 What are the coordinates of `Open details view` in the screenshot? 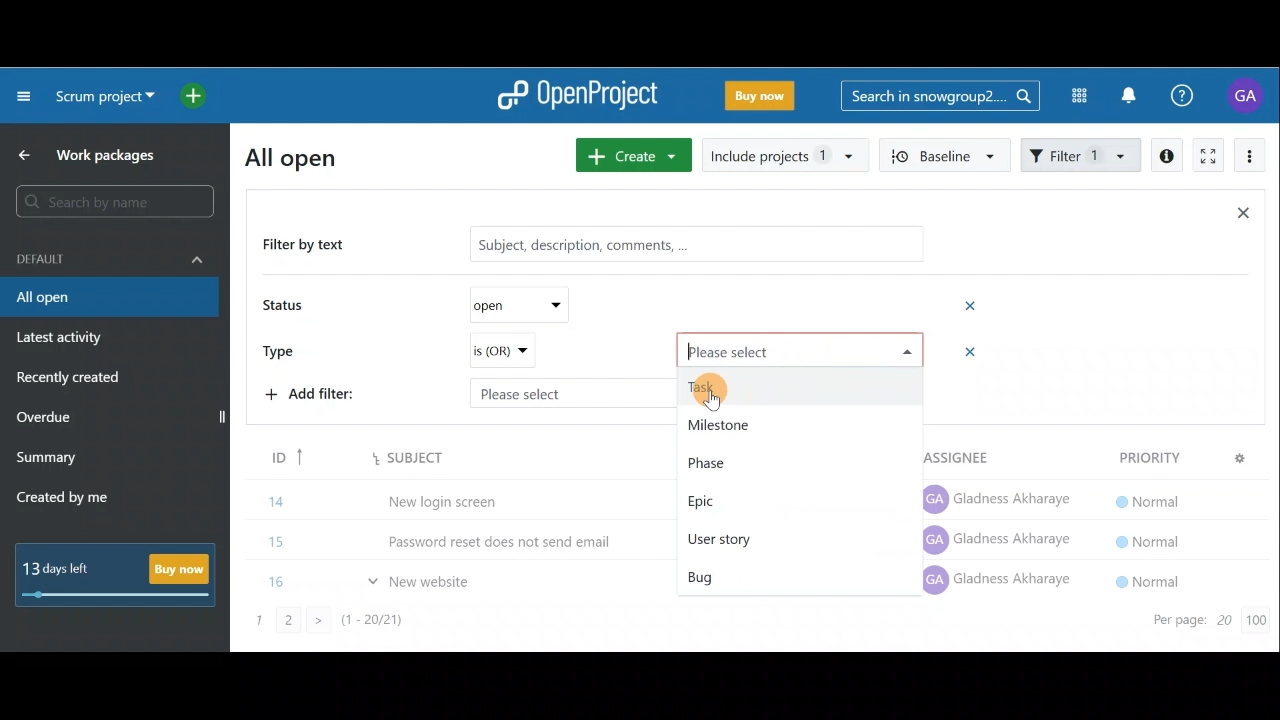 It's located at (1168, 156).